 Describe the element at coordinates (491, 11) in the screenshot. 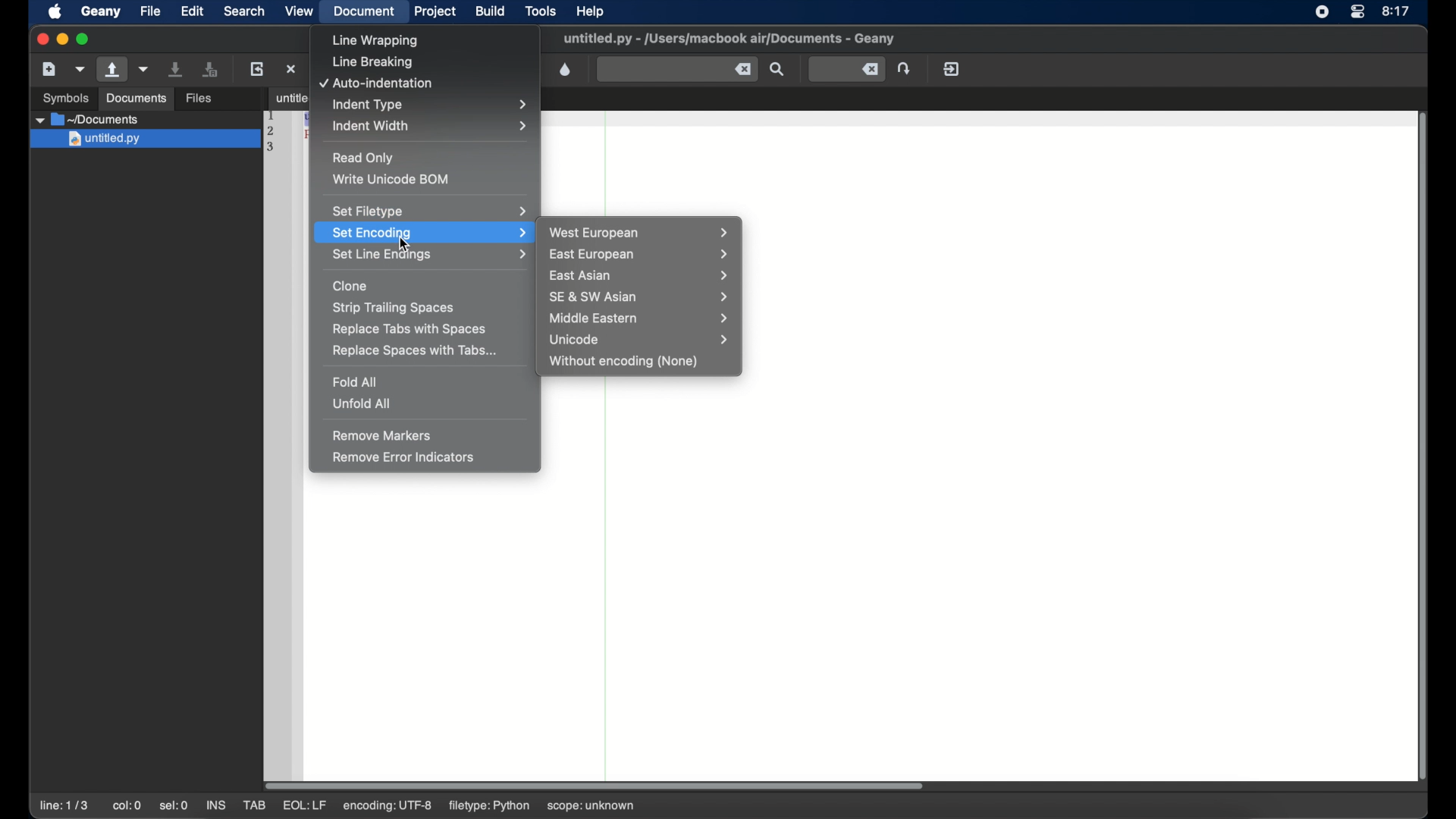

I see `build` at that location.